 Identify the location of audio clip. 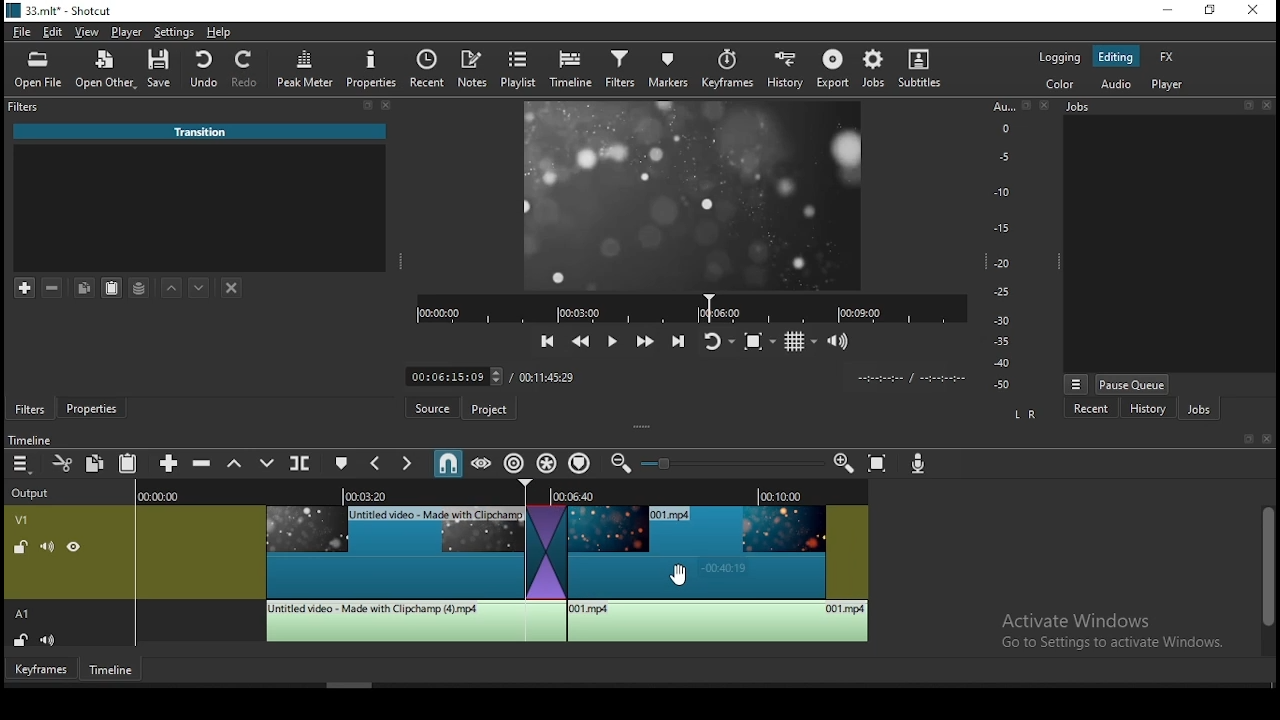
(719, 622).